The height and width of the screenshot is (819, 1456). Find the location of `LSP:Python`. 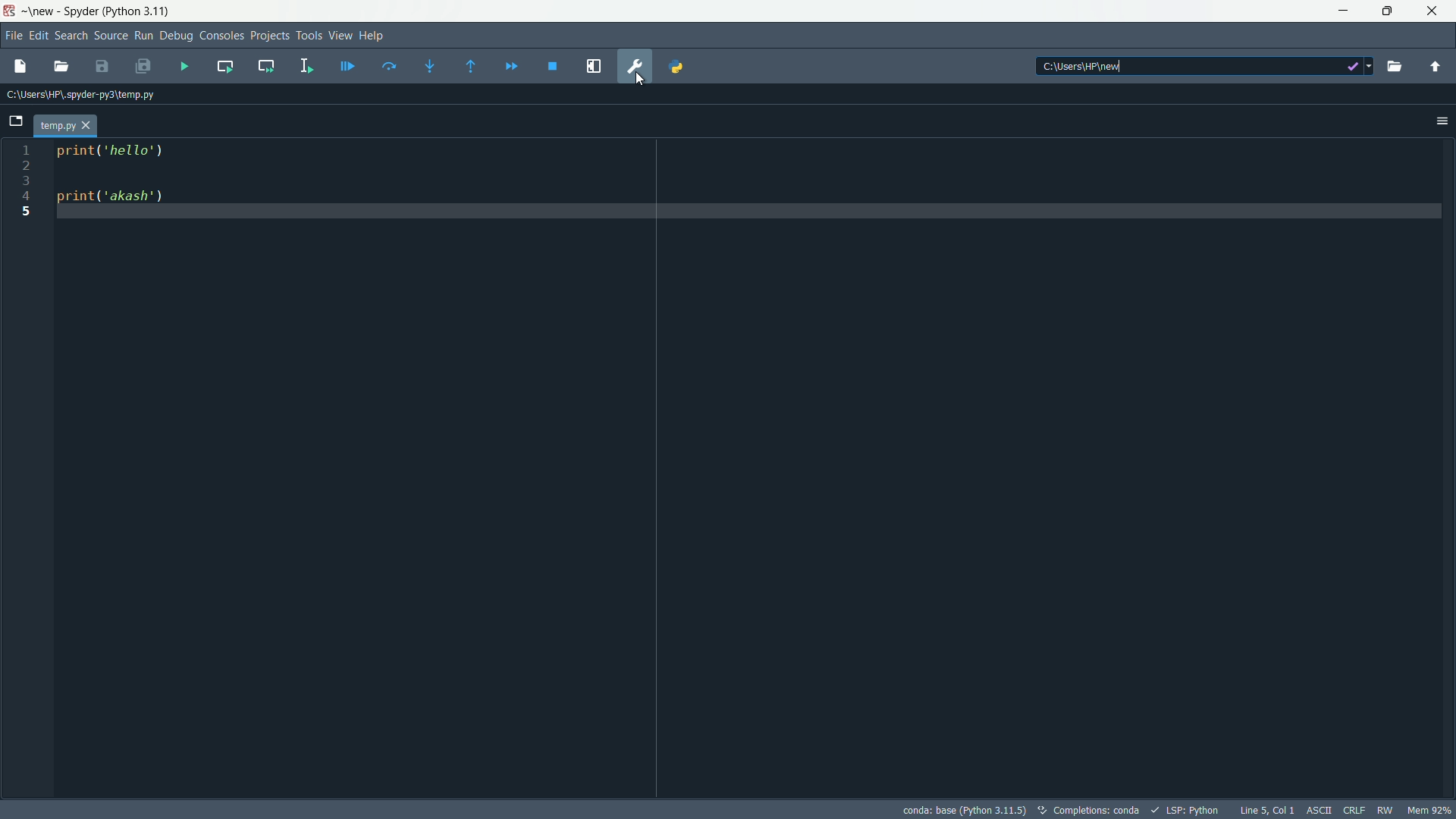

LSP:Python is located at coordinates (1185, 809).